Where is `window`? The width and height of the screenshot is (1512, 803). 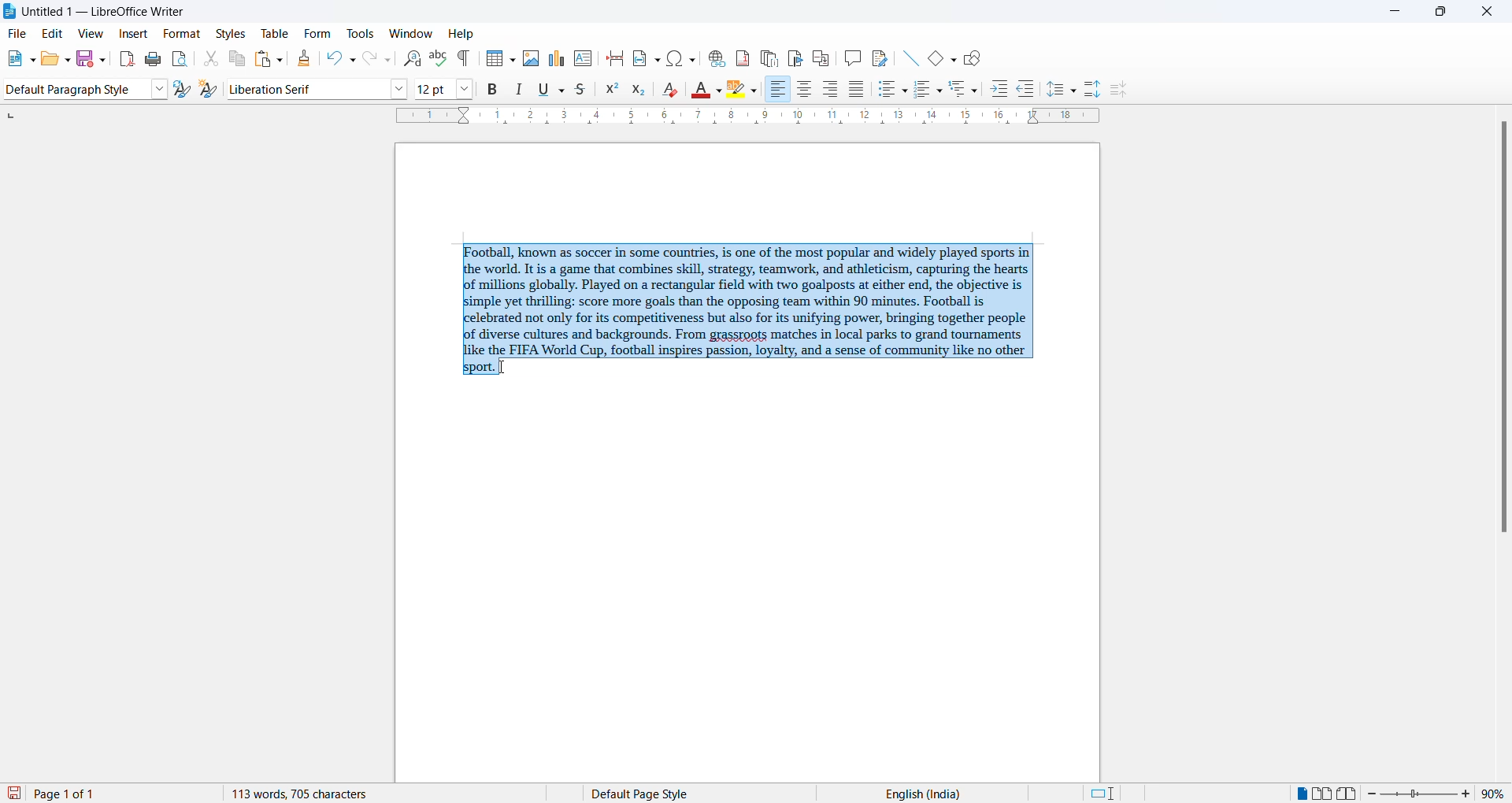 window is located at coordinates (408, 32).